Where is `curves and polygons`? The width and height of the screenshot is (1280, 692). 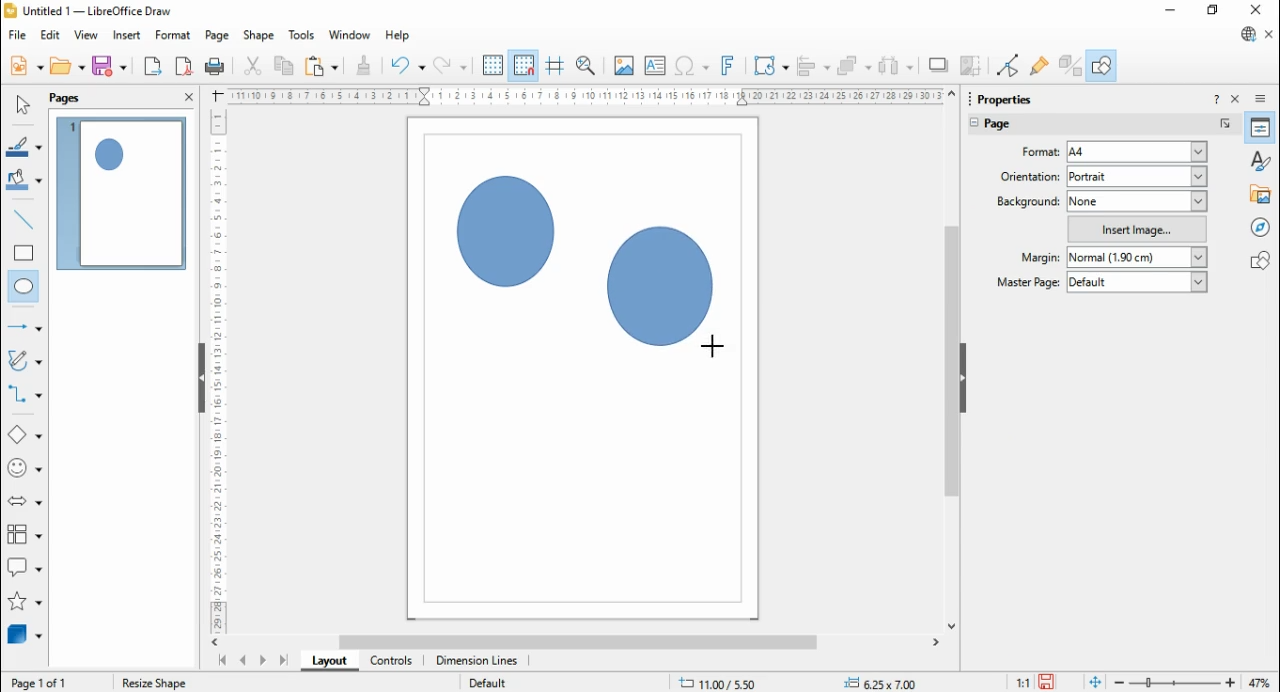
curves and polygons is located at coordinates (26, 361).